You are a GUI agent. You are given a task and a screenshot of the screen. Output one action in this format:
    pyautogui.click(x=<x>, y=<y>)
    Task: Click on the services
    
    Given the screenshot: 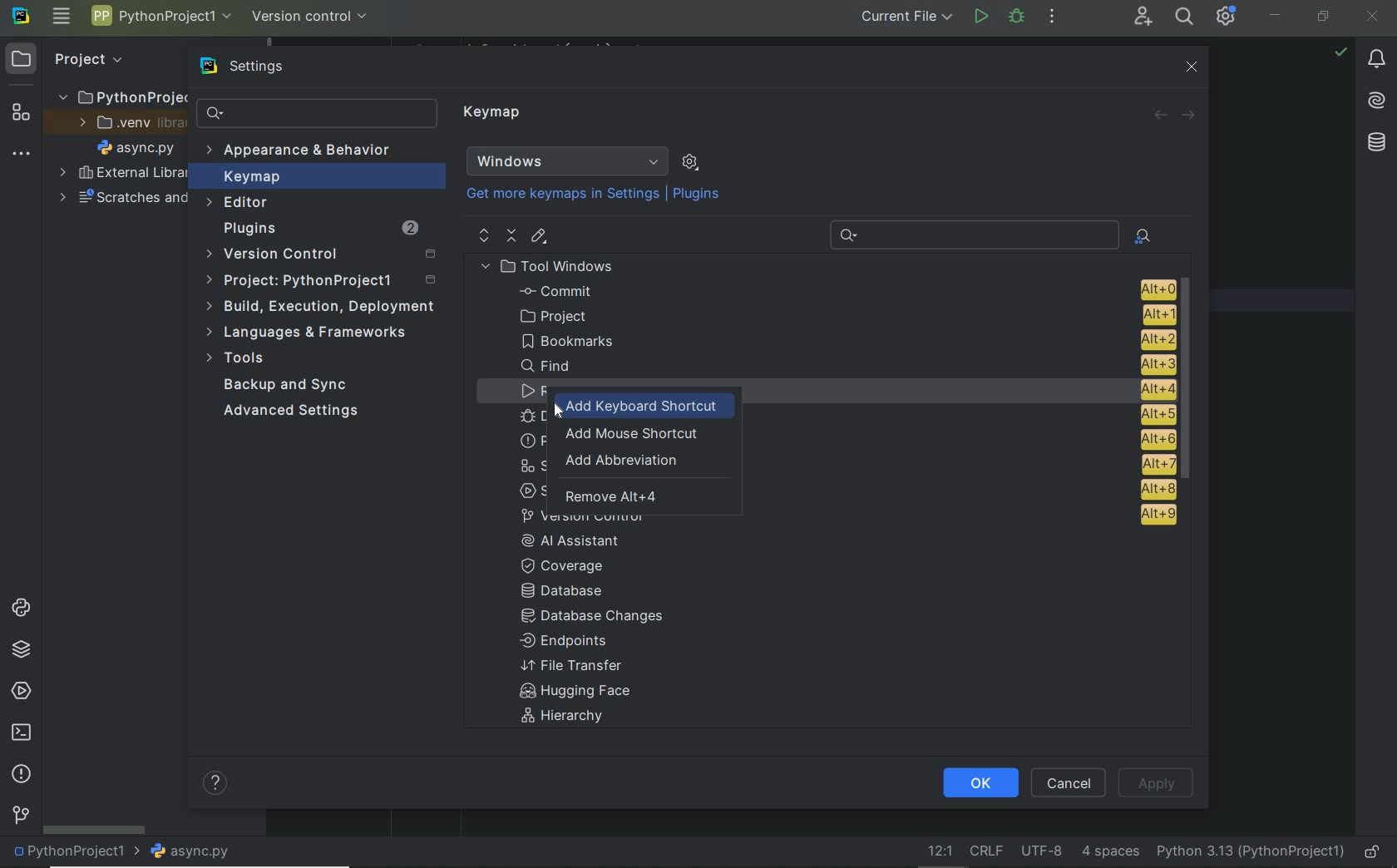 What is the action you would take?
    pyautogui.click(x=18, y=692)
    